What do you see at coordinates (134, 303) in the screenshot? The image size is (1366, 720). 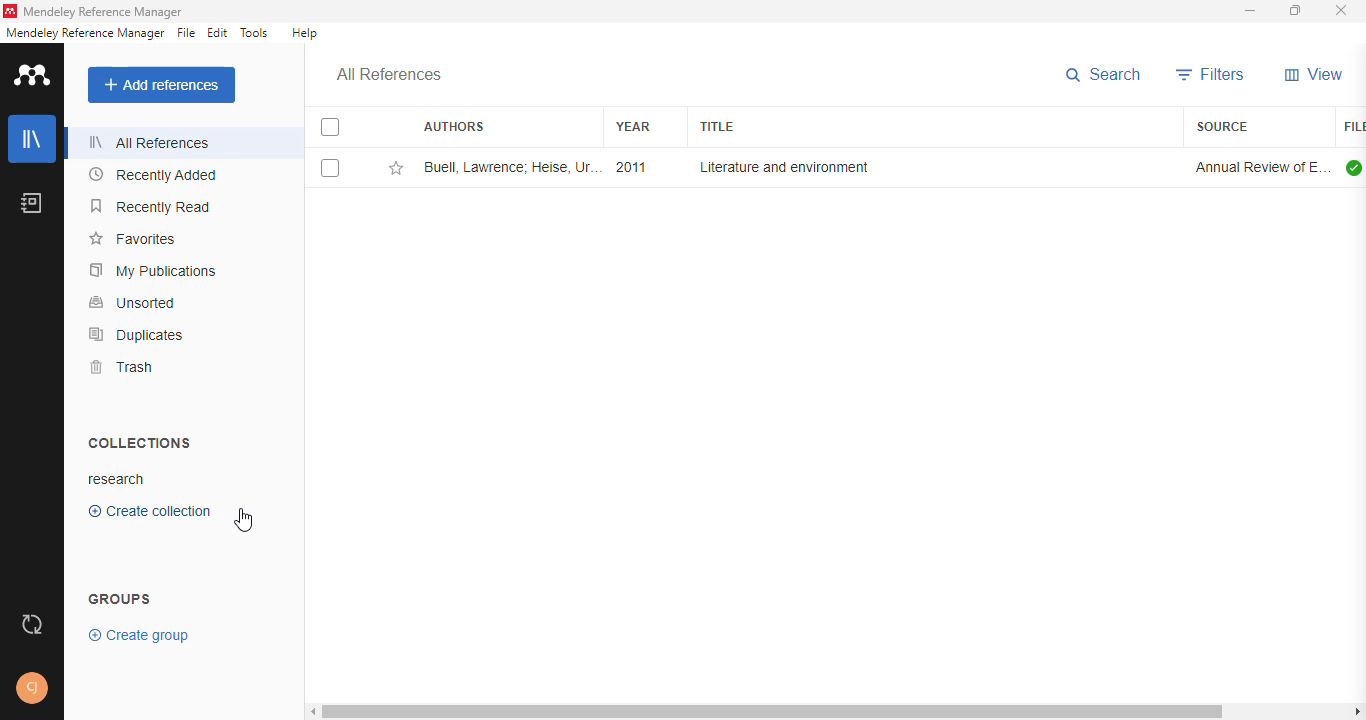 I see `unsorted` at bounding box center [134, 303].